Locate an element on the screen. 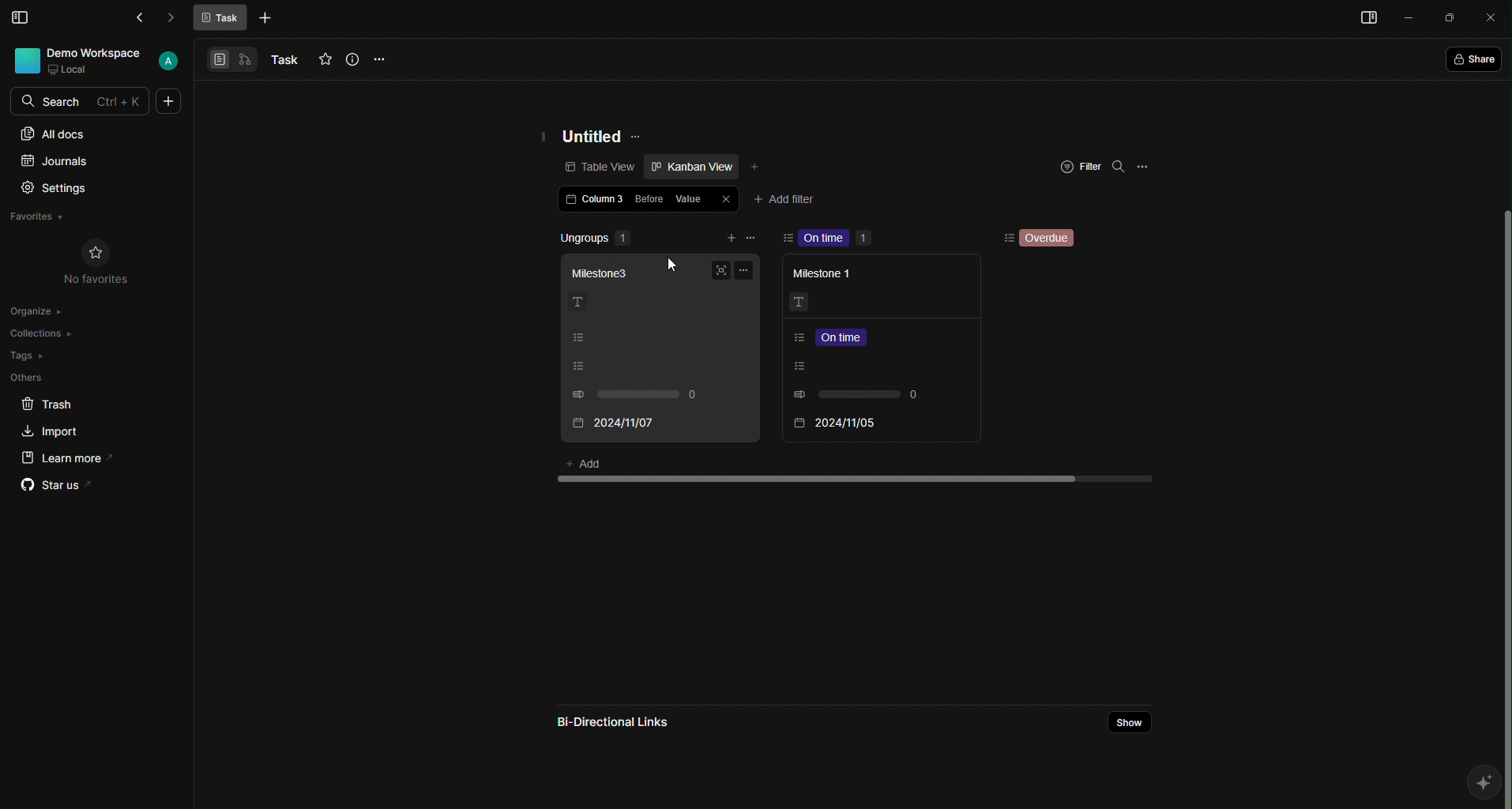  Favourites is located at coordinates (325, 58).